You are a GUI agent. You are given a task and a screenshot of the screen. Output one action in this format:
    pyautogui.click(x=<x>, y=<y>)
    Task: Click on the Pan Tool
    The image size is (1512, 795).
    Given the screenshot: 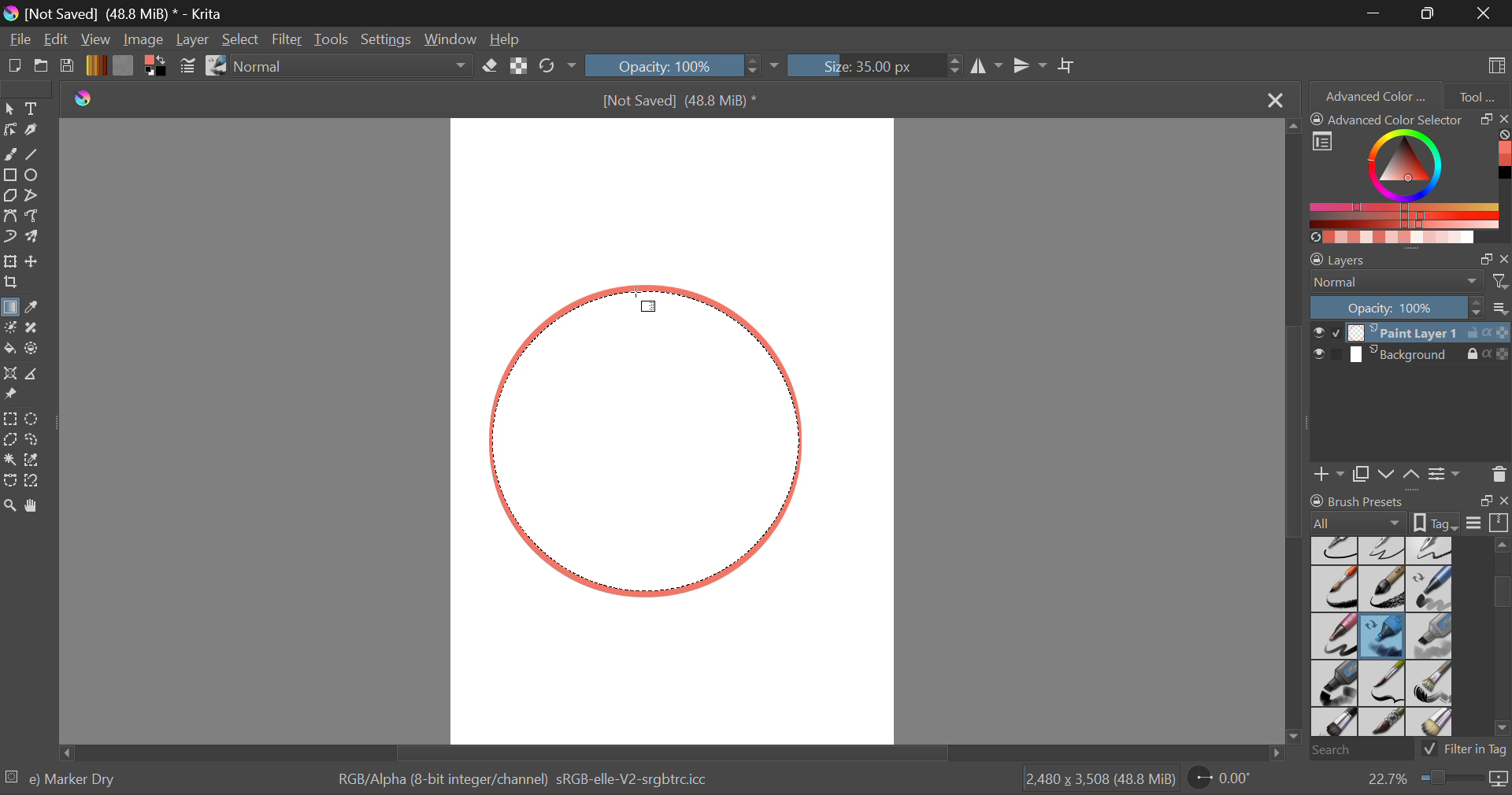 What is the action you would take?
    pyautogui.click(x=35, y=505)
    